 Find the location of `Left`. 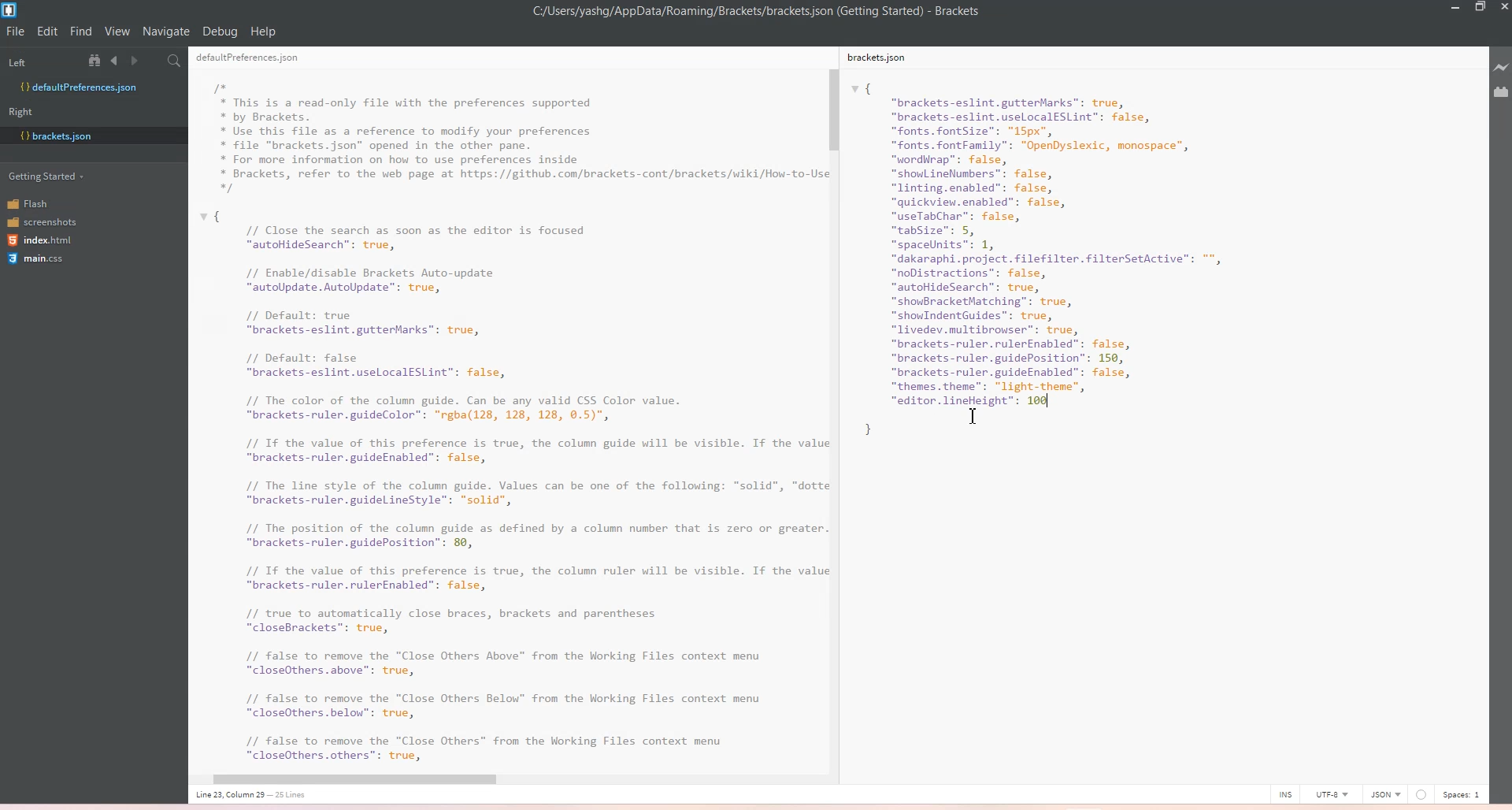

Left is located at coordinates (39, 60).